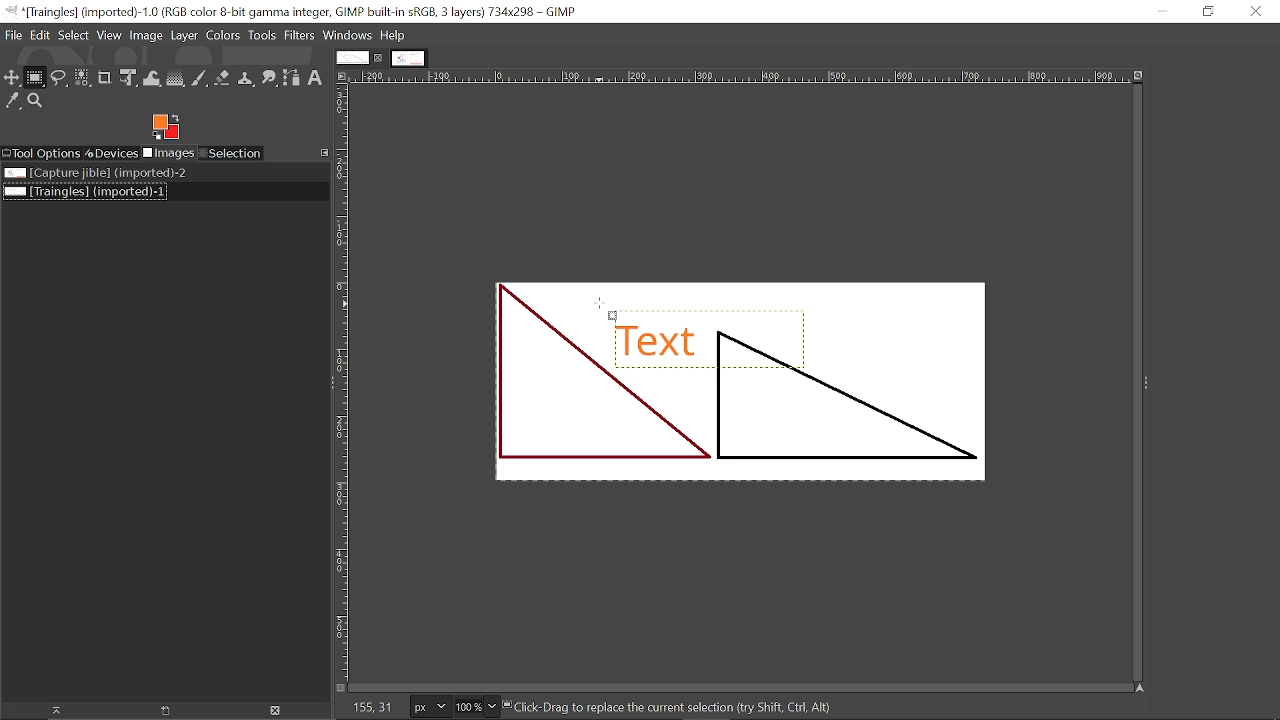  I want to click on expand, so click(1145, 380).